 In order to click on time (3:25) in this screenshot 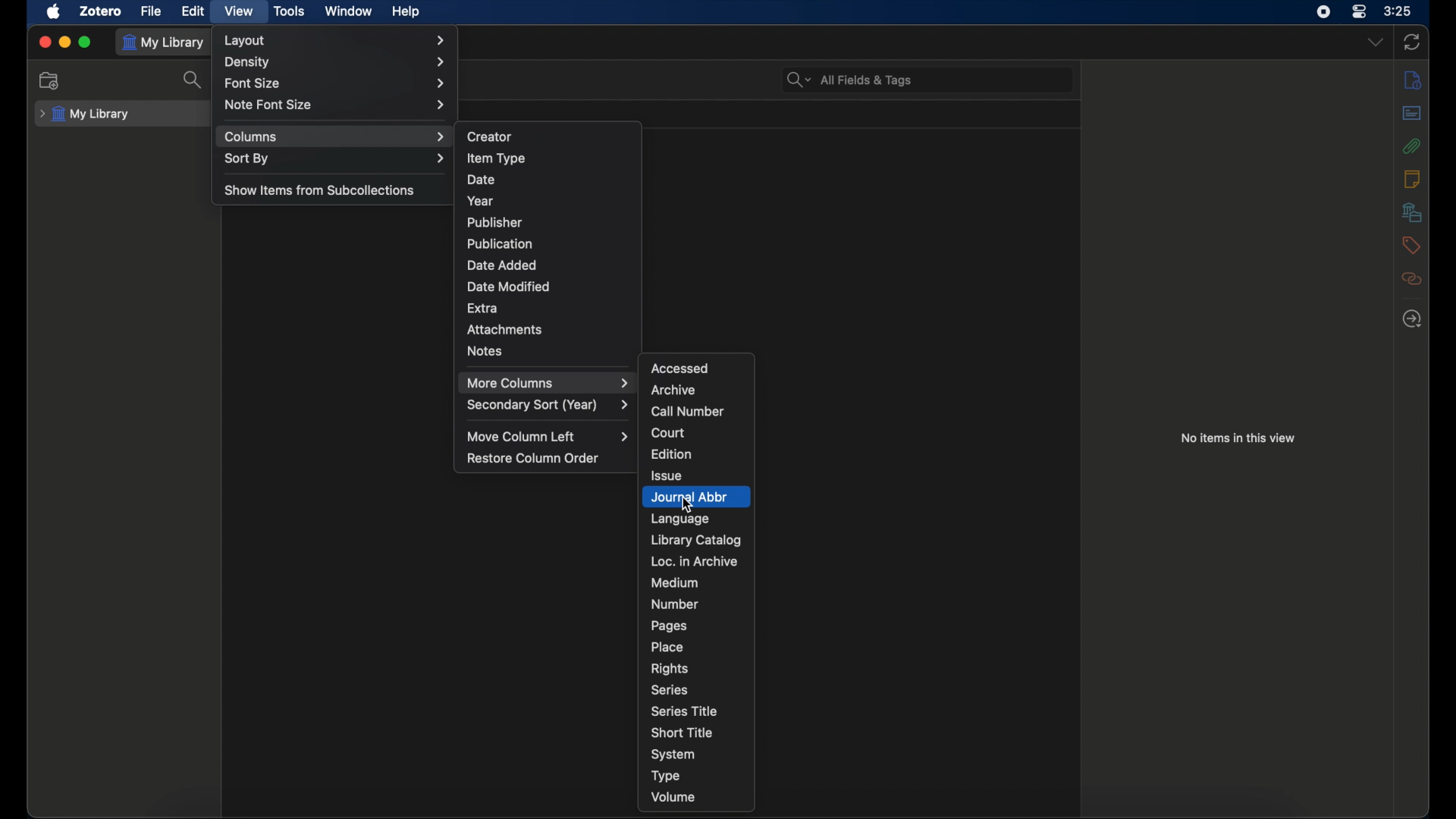, I will do `click(1400, 11)`.